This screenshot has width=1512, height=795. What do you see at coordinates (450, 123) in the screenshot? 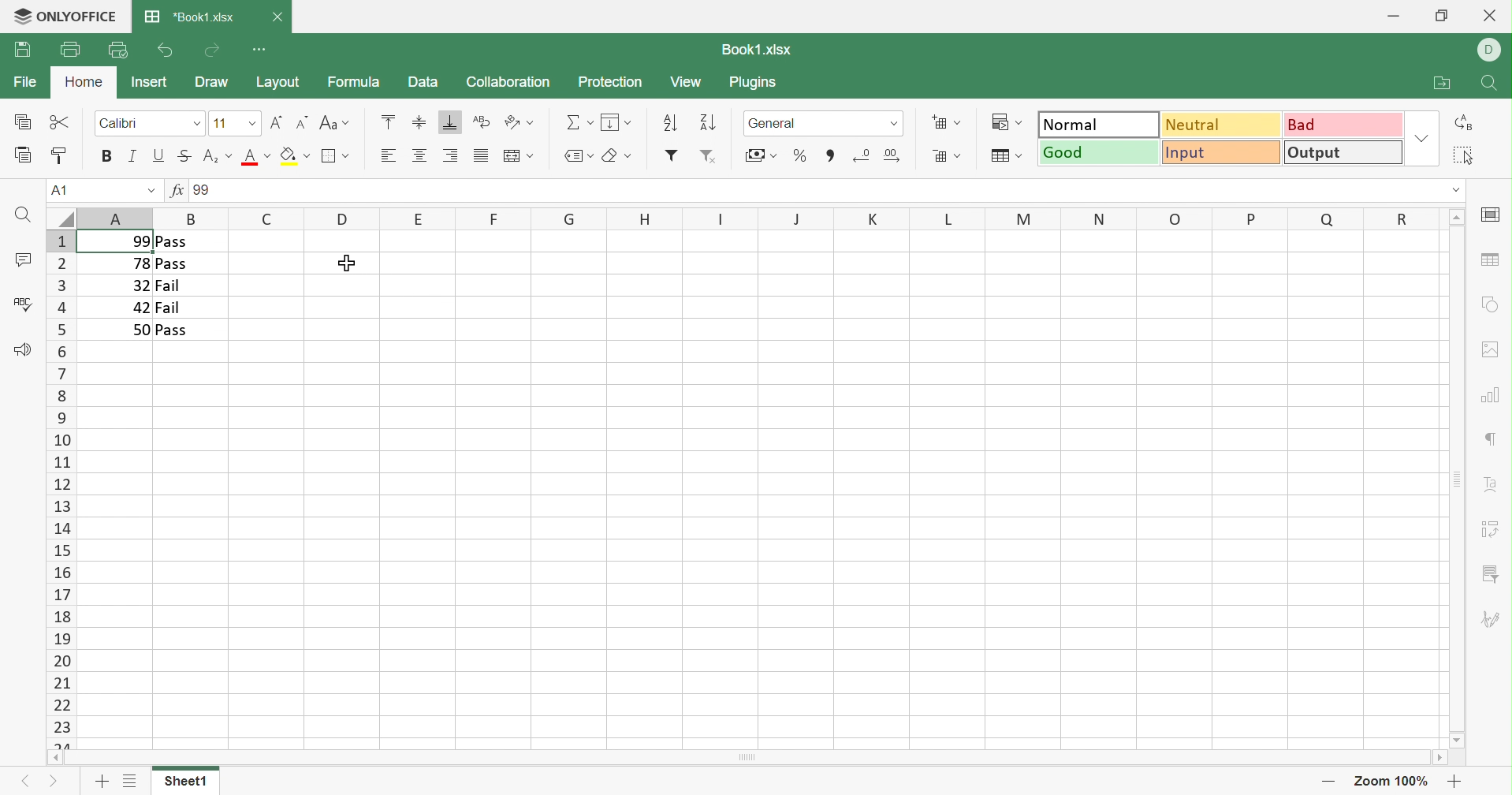
I see `Align bottom` at bounding box center [450, 123].